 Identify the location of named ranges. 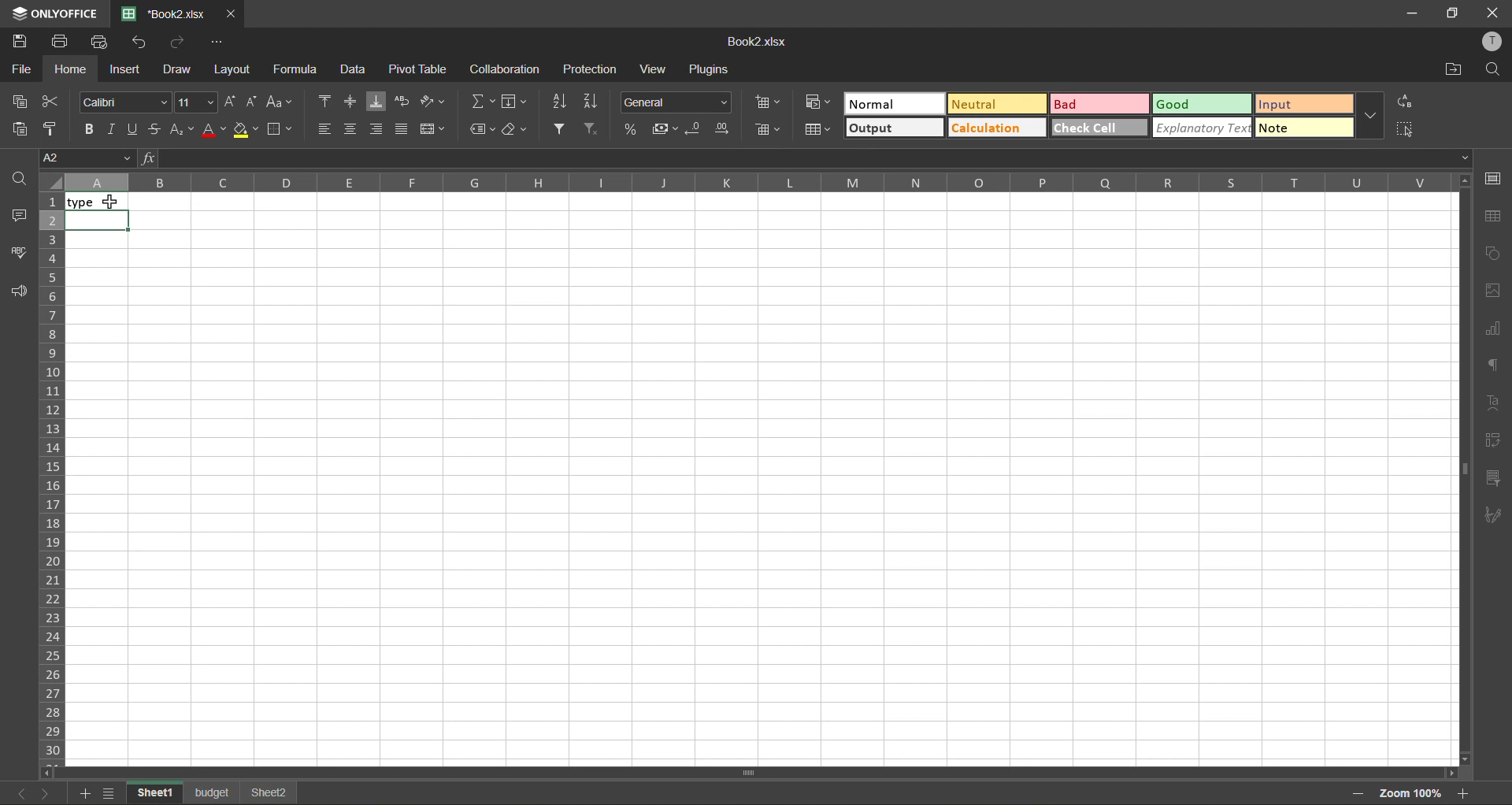
(483, 130).